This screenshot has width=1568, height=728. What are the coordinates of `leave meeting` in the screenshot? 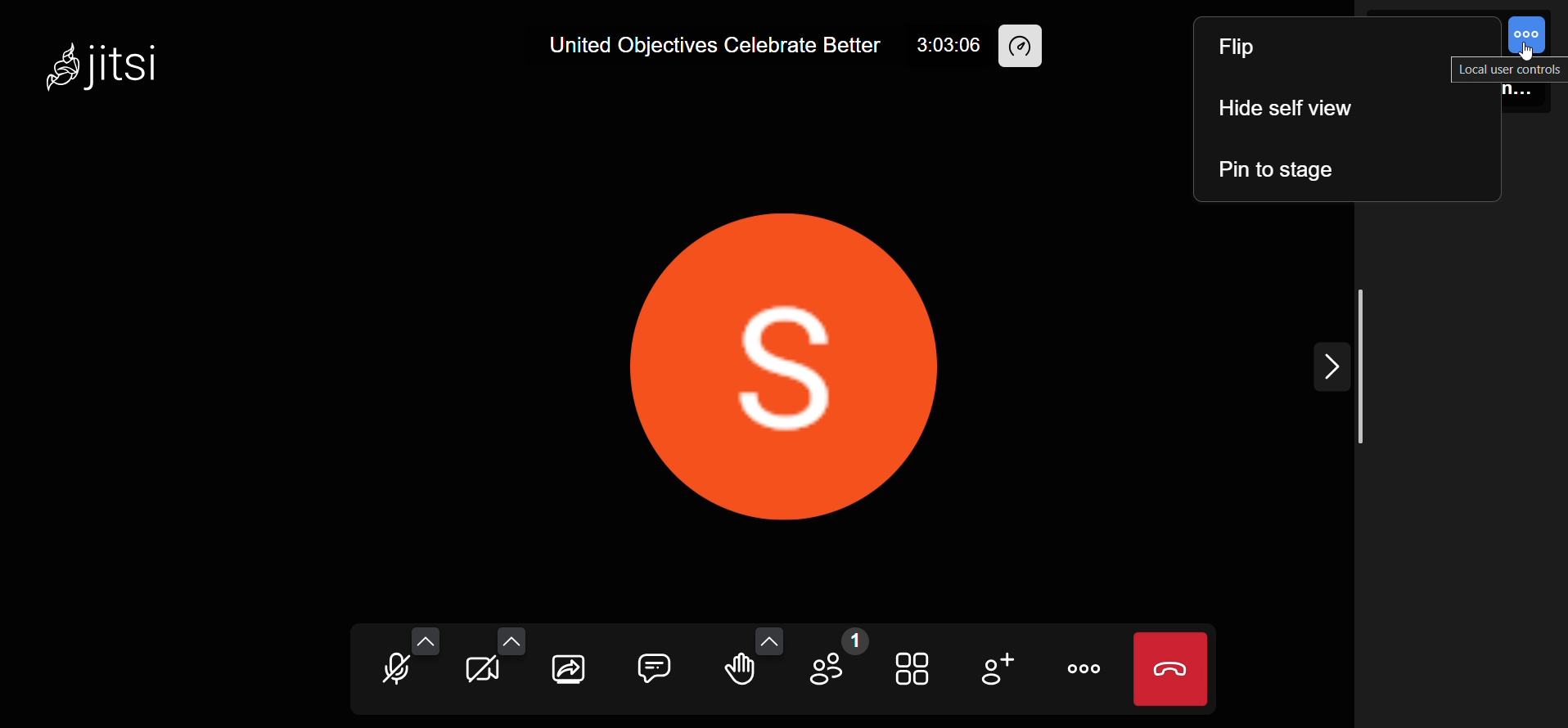 It's located at (1172, 671).